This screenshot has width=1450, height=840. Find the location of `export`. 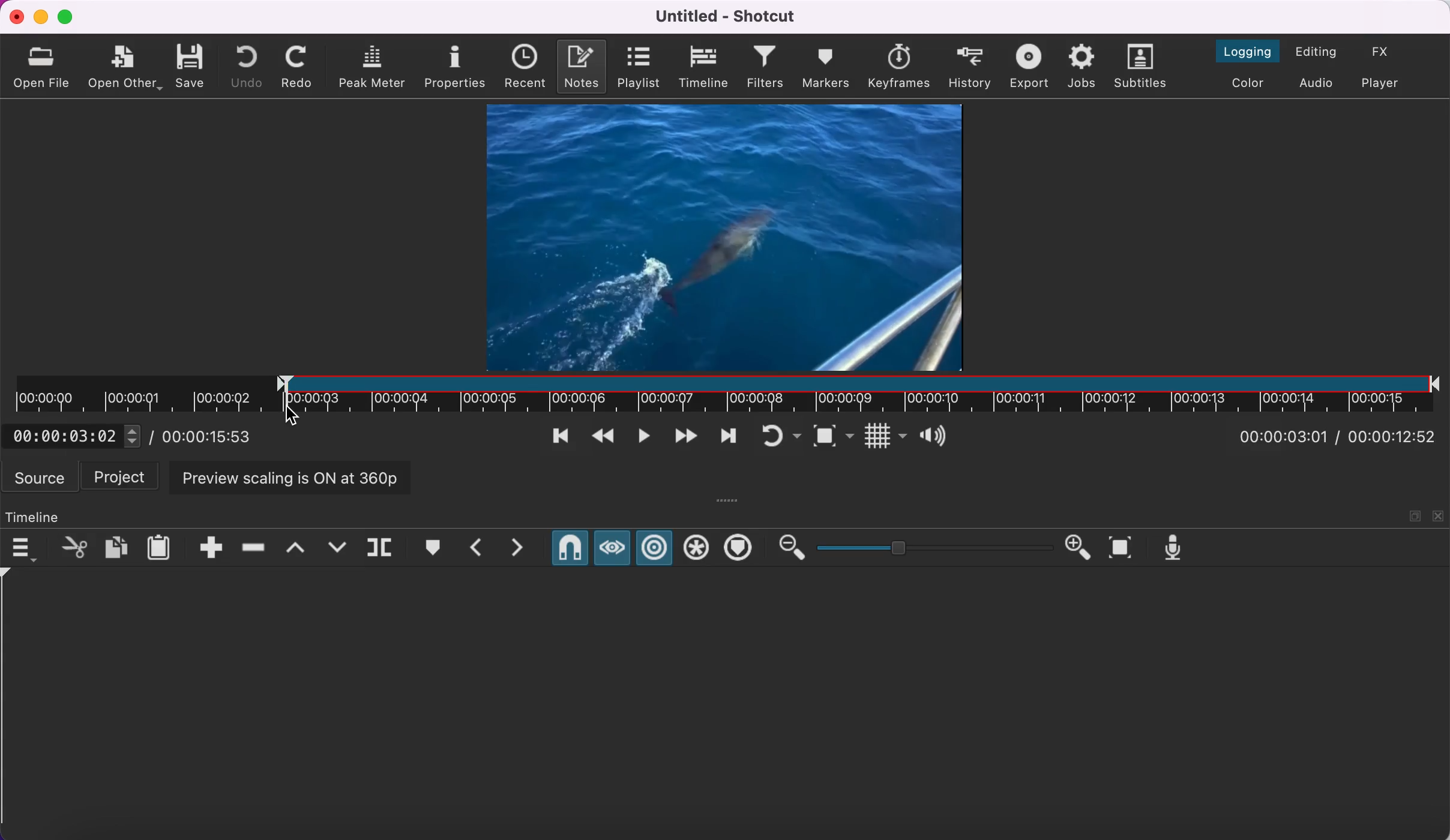

export is located at coordinates (1027, 67).